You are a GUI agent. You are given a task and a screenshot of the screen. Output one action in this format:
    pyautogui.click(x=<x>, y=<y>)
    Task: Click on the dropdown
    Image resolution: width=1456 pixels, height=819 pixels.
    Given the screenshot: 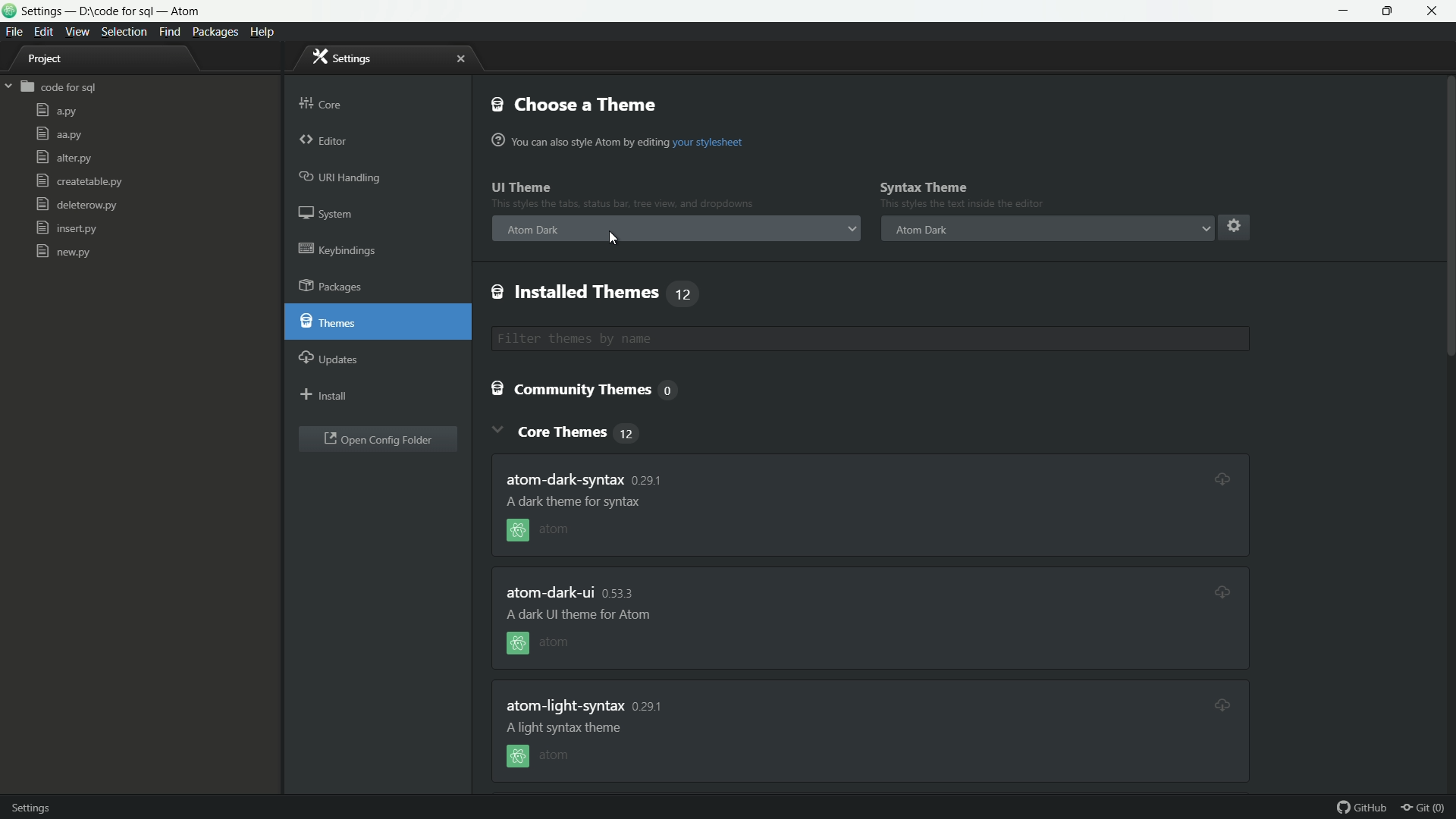 What is the action you would take?
    pyautogui.click(x=852, y=231)
    